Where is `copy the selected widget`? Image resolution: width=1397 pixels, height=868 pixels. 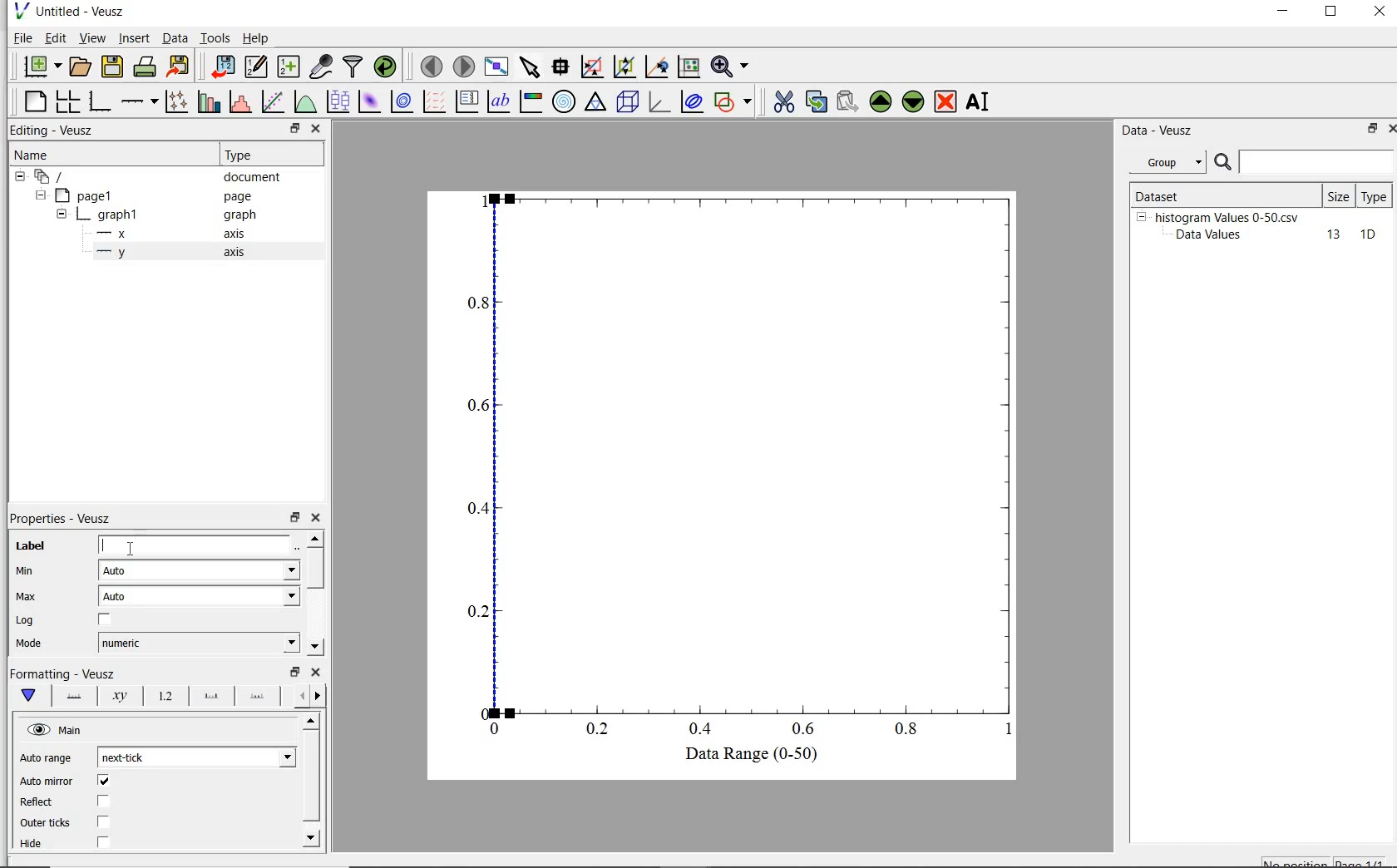 copy the selected widget is located at coordinates (815, 104).